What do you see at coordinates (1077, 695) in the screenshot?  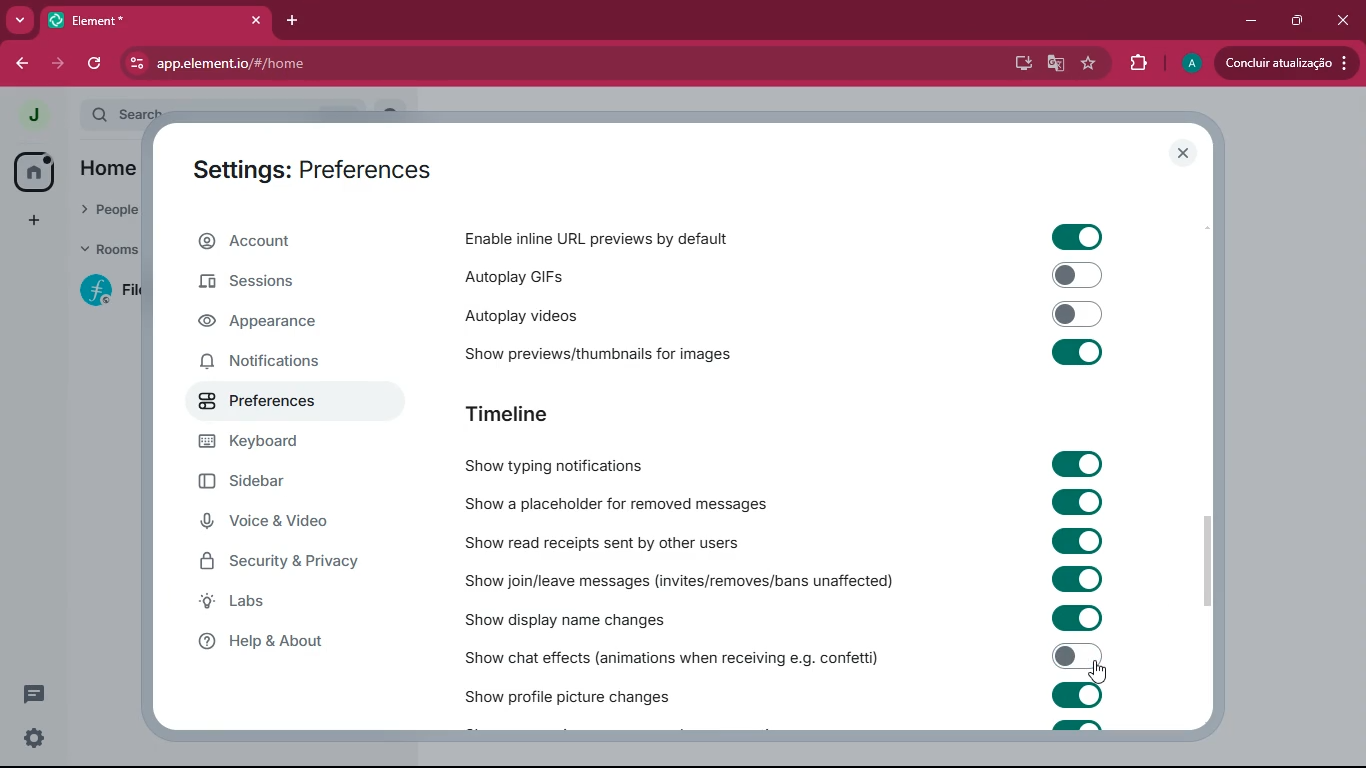 I see `toggle on/off` at bounding box center [1077, 695].